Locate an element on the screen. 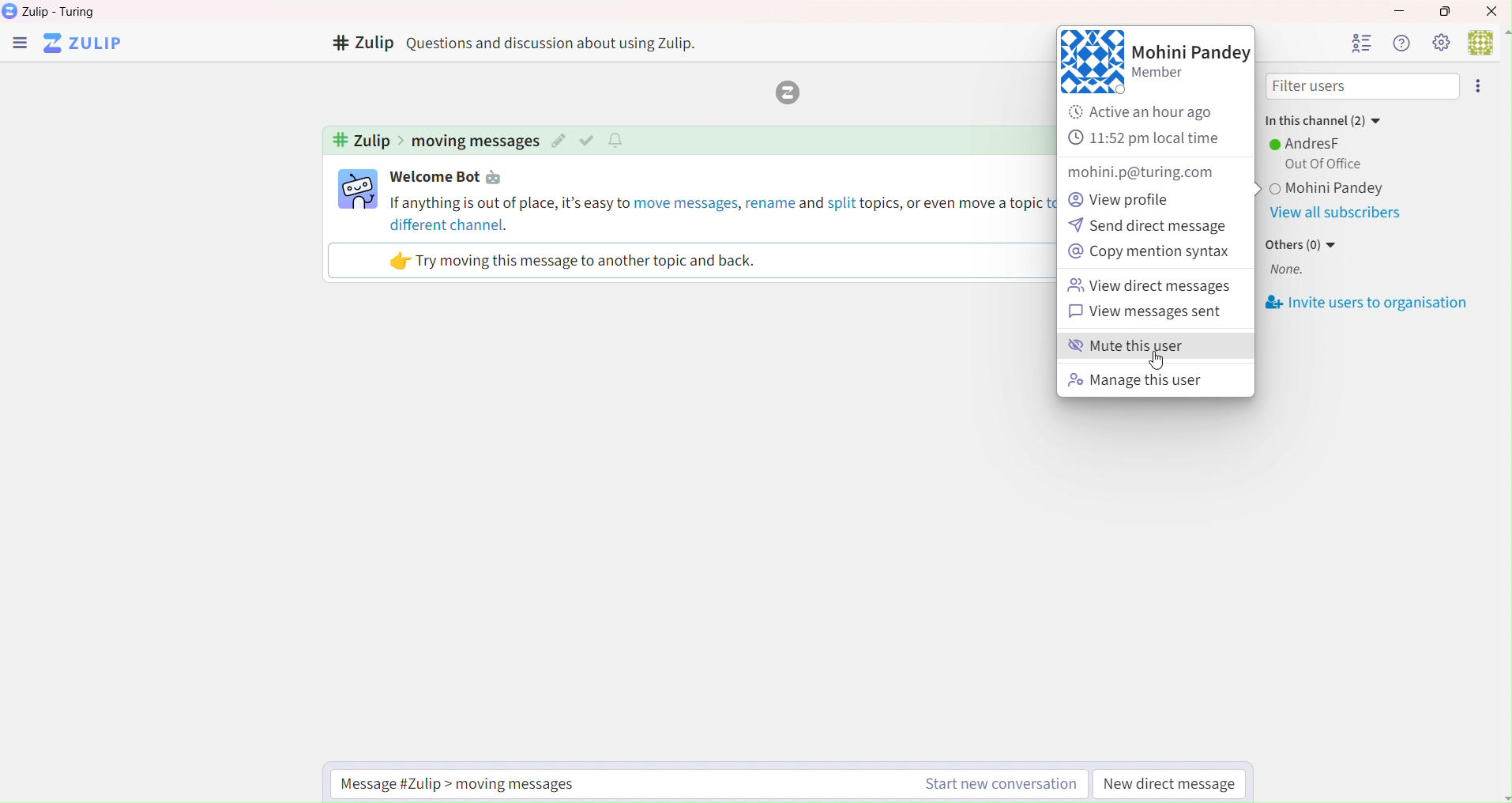  Minimize is located at coordinates (1397, 9).